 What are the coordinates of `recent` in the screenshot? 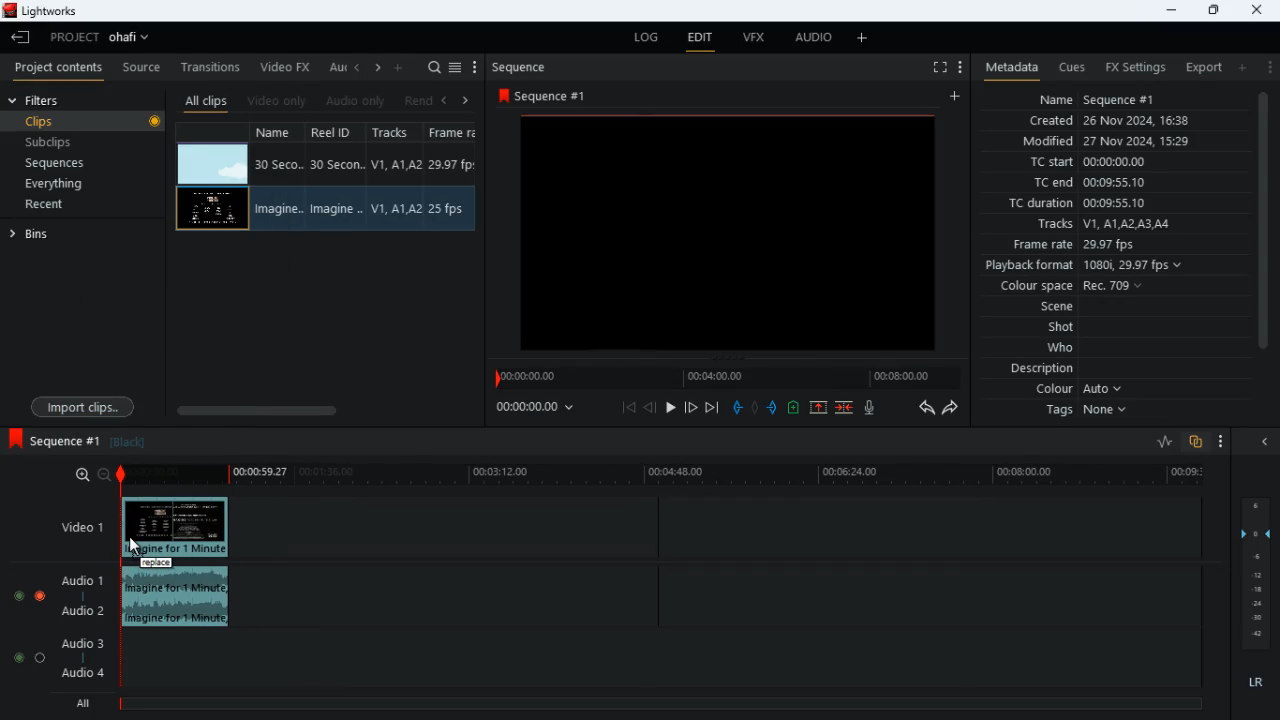 It's located at (61, 206).